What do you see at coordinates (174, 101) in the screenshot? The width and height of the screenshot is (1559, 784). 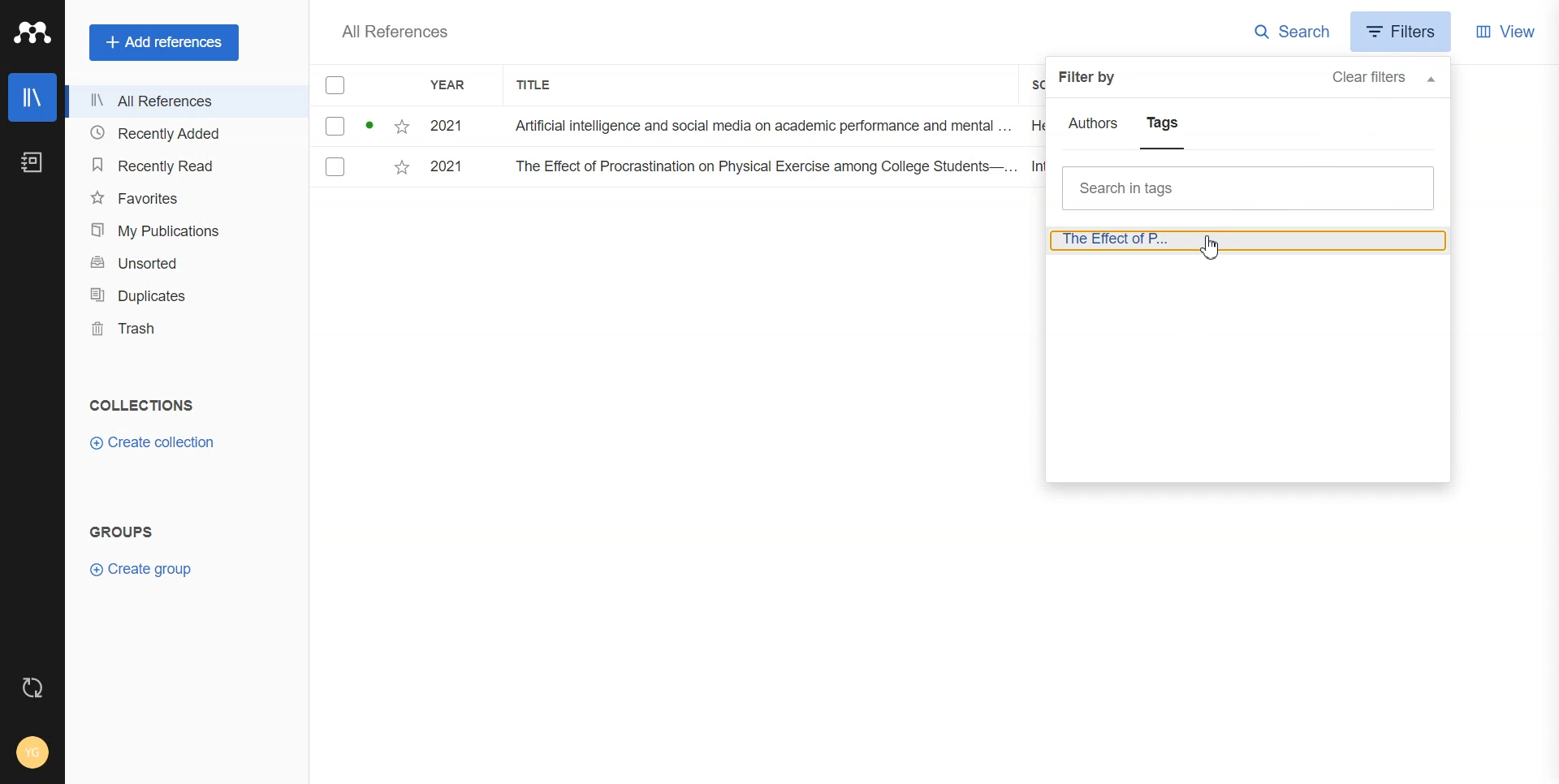 I see `All References` at bounding box center [174, 101].